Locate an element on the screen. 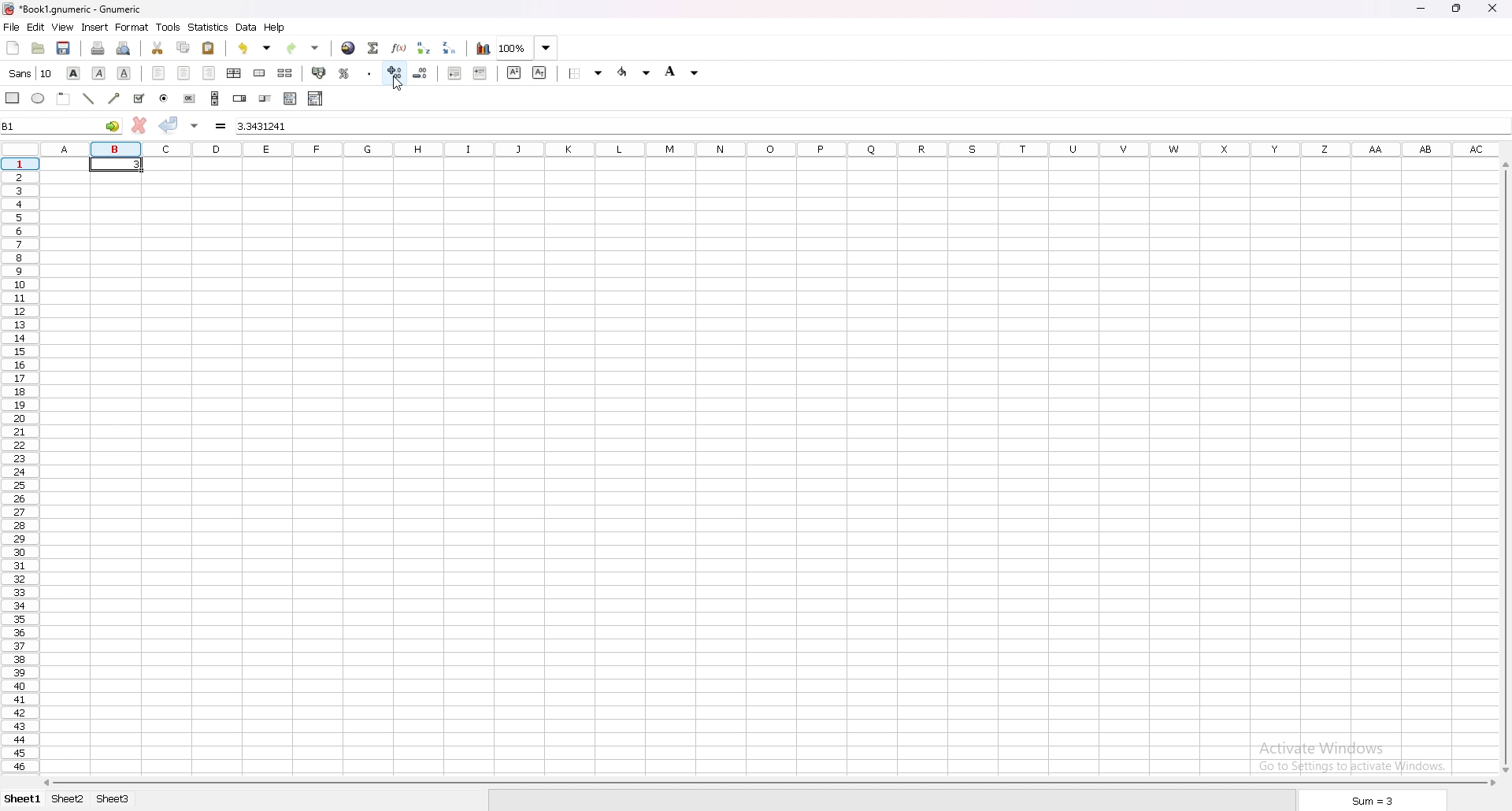  sort descending is located at coordinates (450, 49).